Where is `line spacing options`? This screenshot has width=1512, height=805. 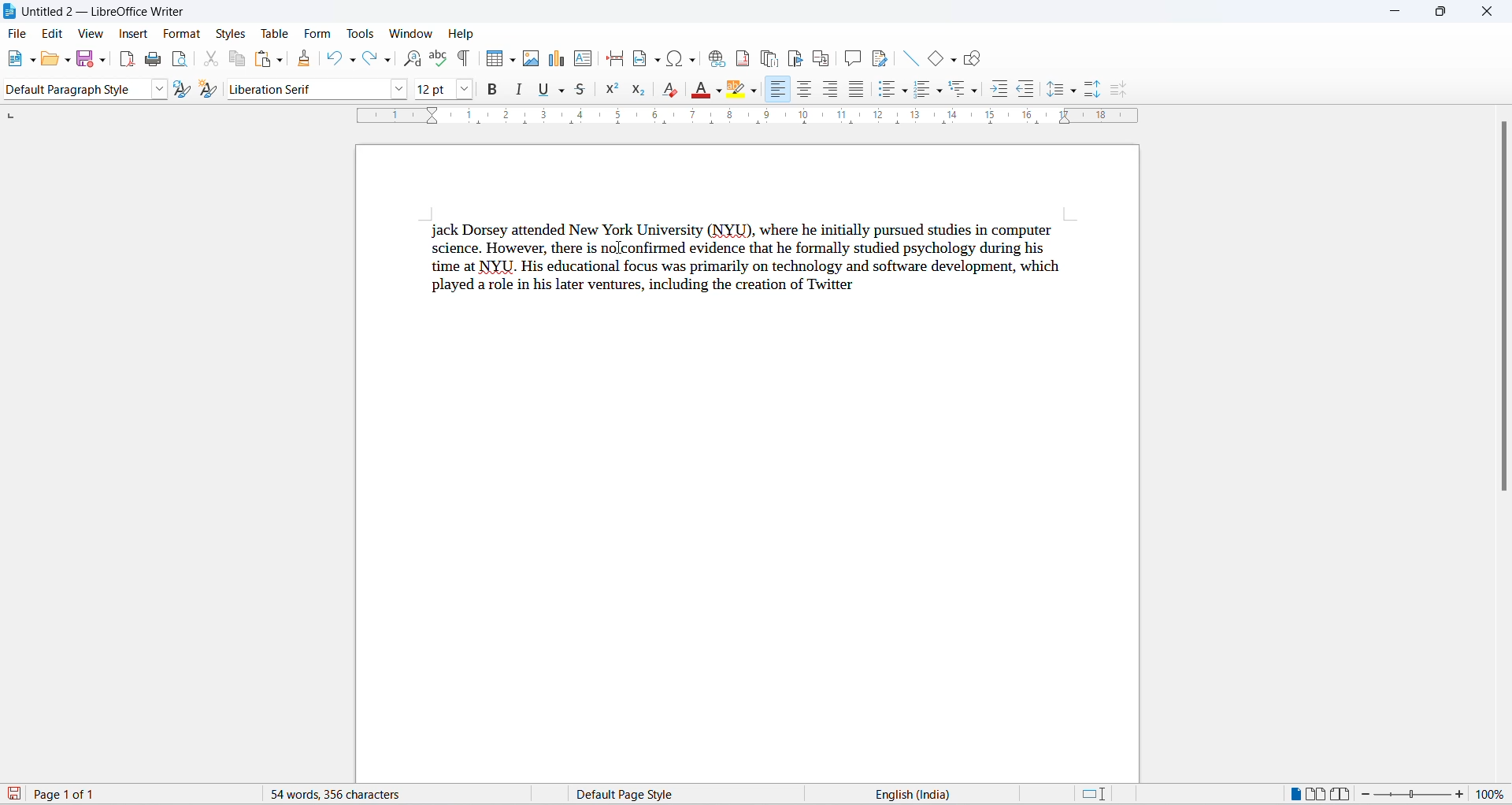
line spacing options is located at coordinates (1077, 92).